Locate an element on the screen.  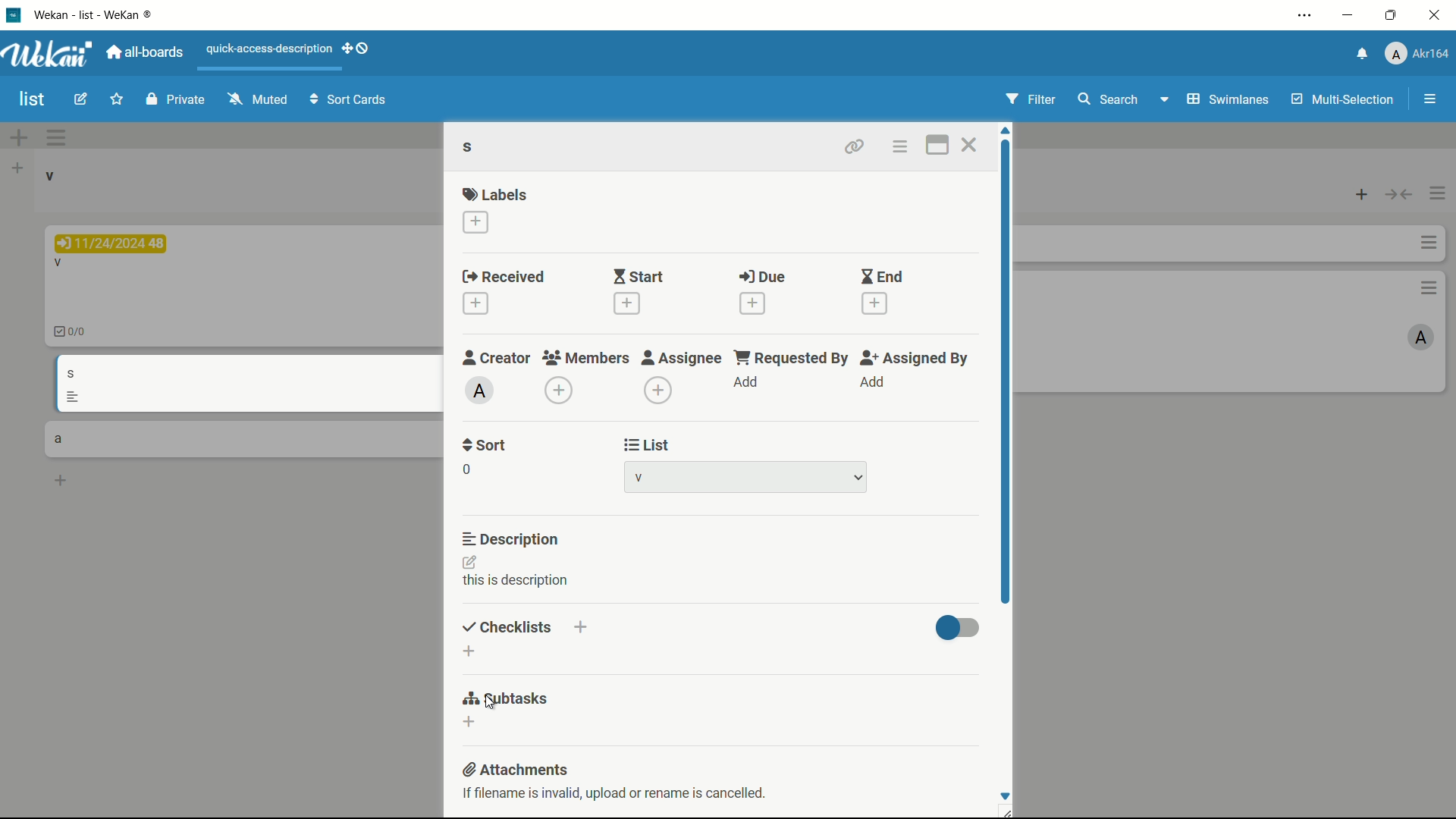
requested by is located at coordinates (793, 359).